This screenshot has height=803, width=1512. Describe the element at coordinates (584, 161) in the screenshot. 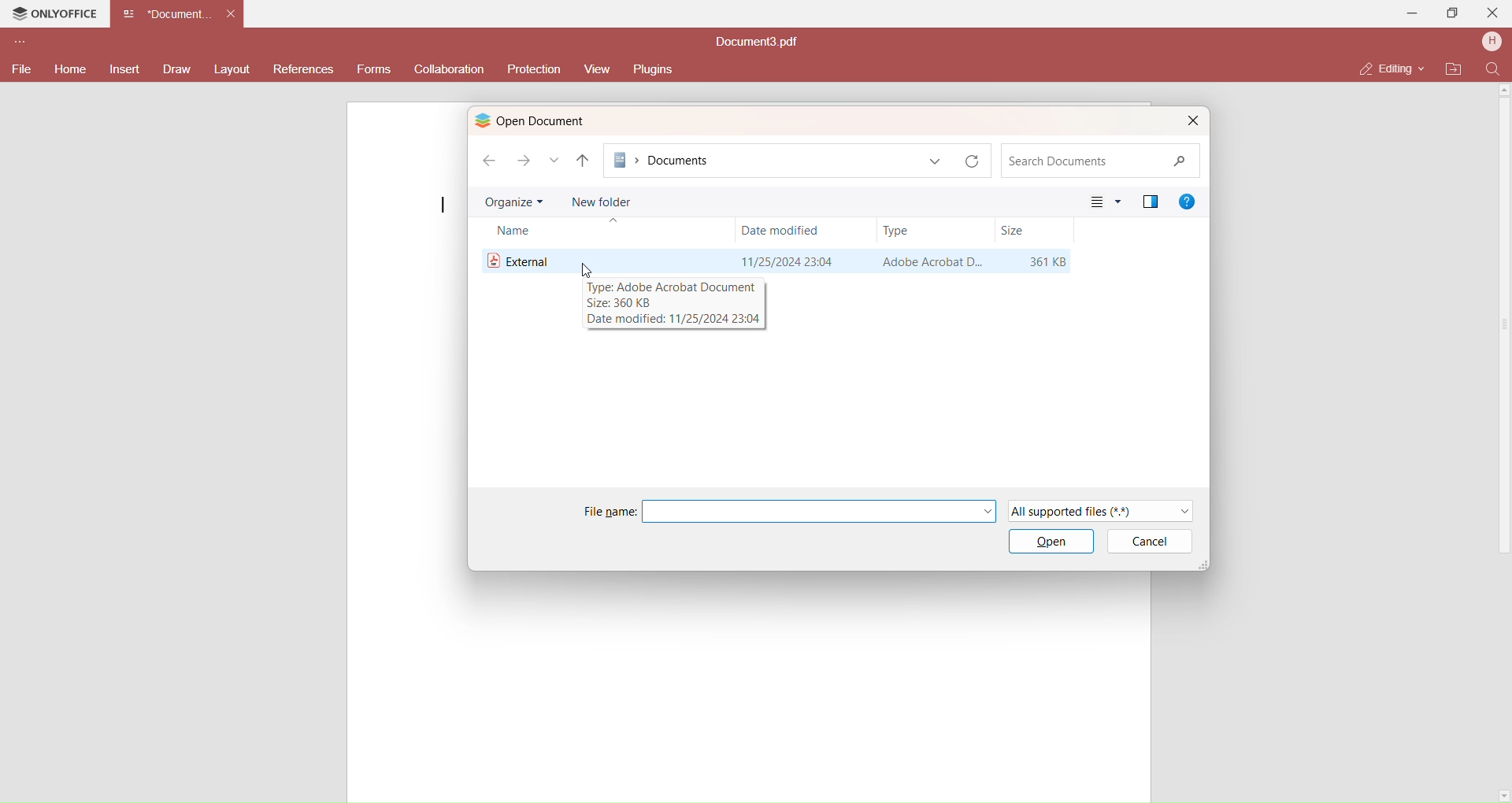

I see `Previous Folder` at that location.